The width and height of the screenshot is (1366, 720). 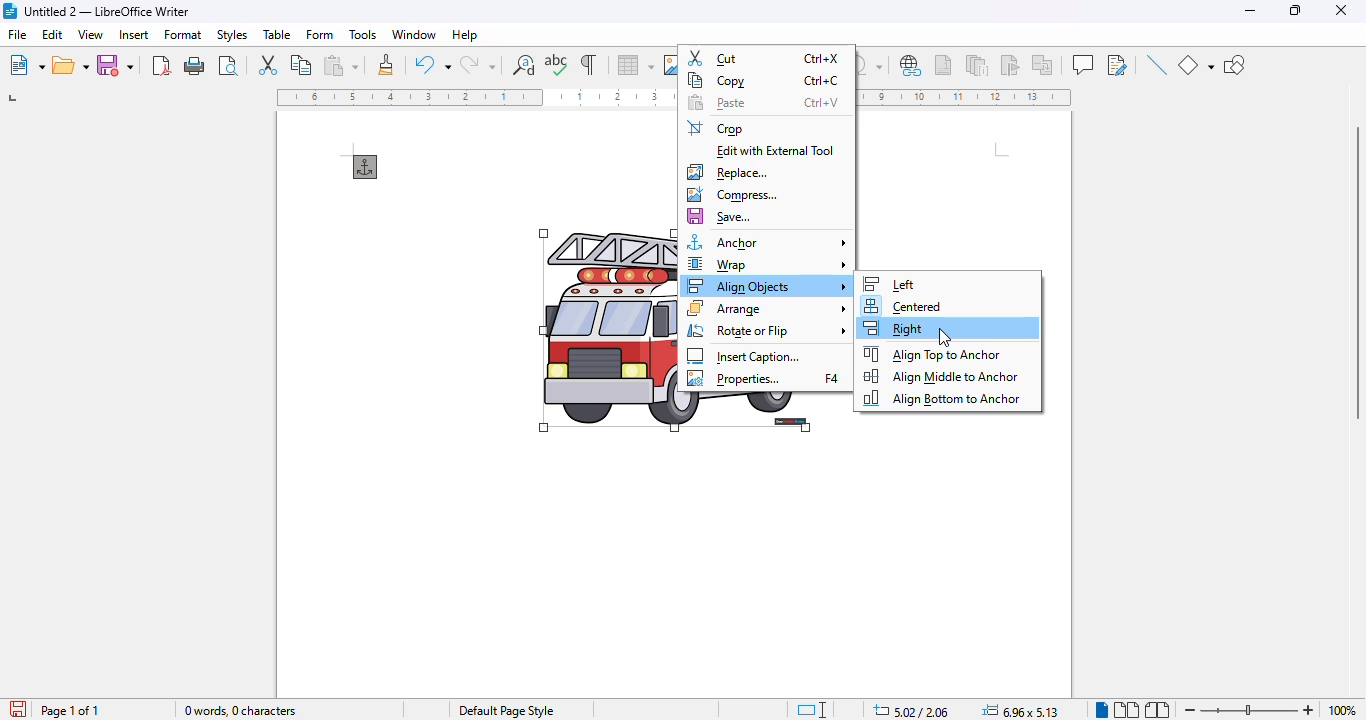 I want to click on toggle formatting marks, so click(x=590, y=64).